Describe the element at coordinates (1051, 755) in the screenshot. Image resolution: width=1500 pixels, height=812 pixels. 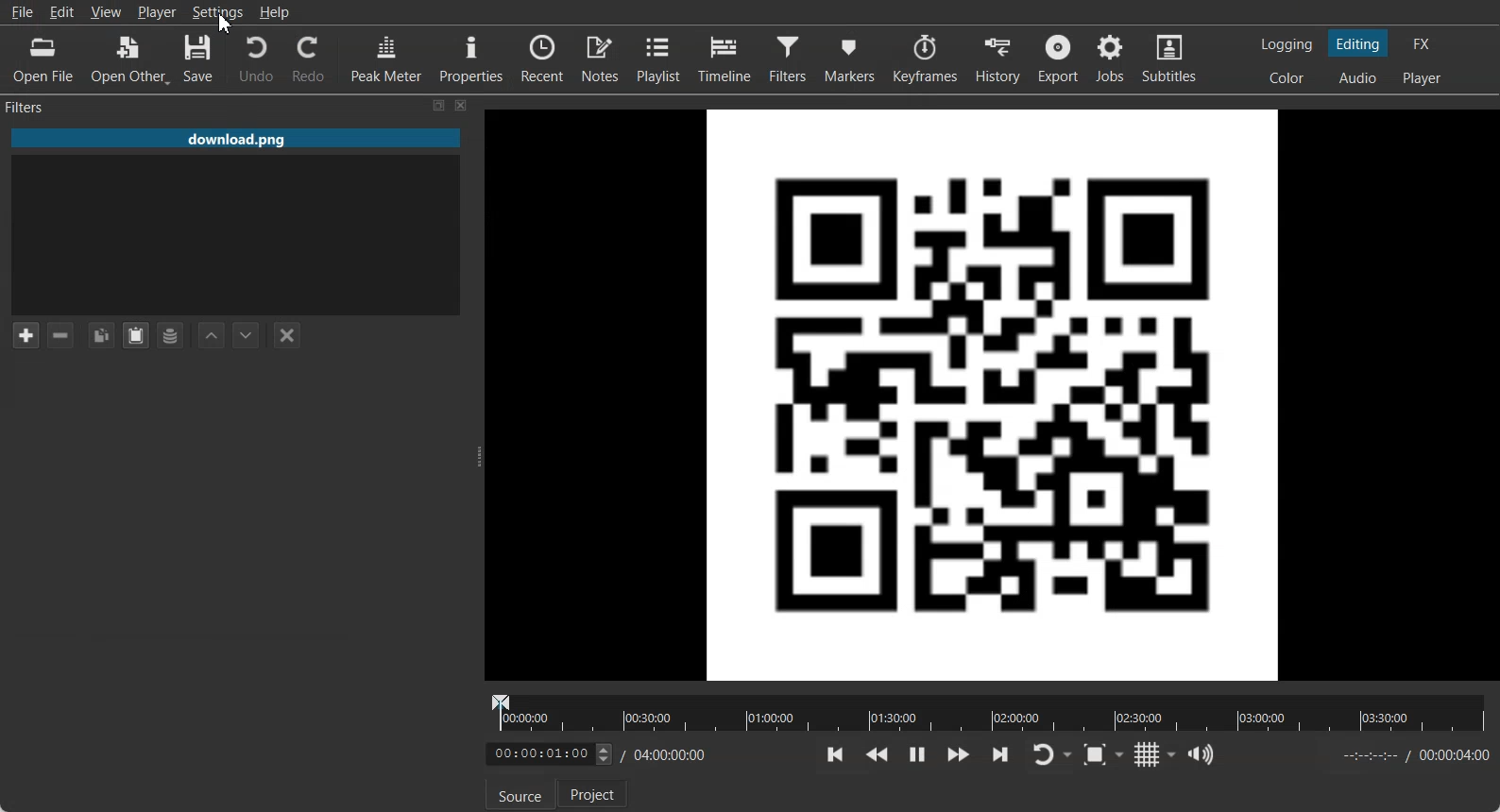
I see `Toggle Player looping` at that location.